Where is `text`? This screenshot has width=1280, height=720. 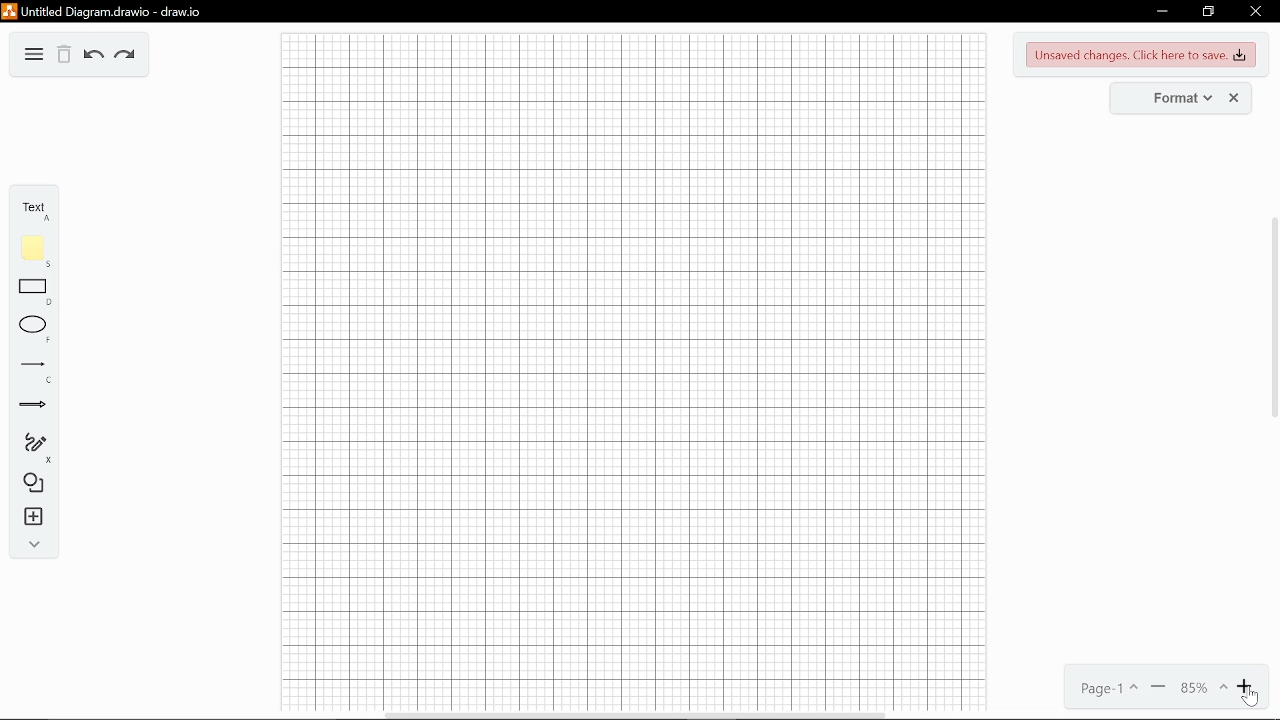 text is located at coordinates (30, 207).